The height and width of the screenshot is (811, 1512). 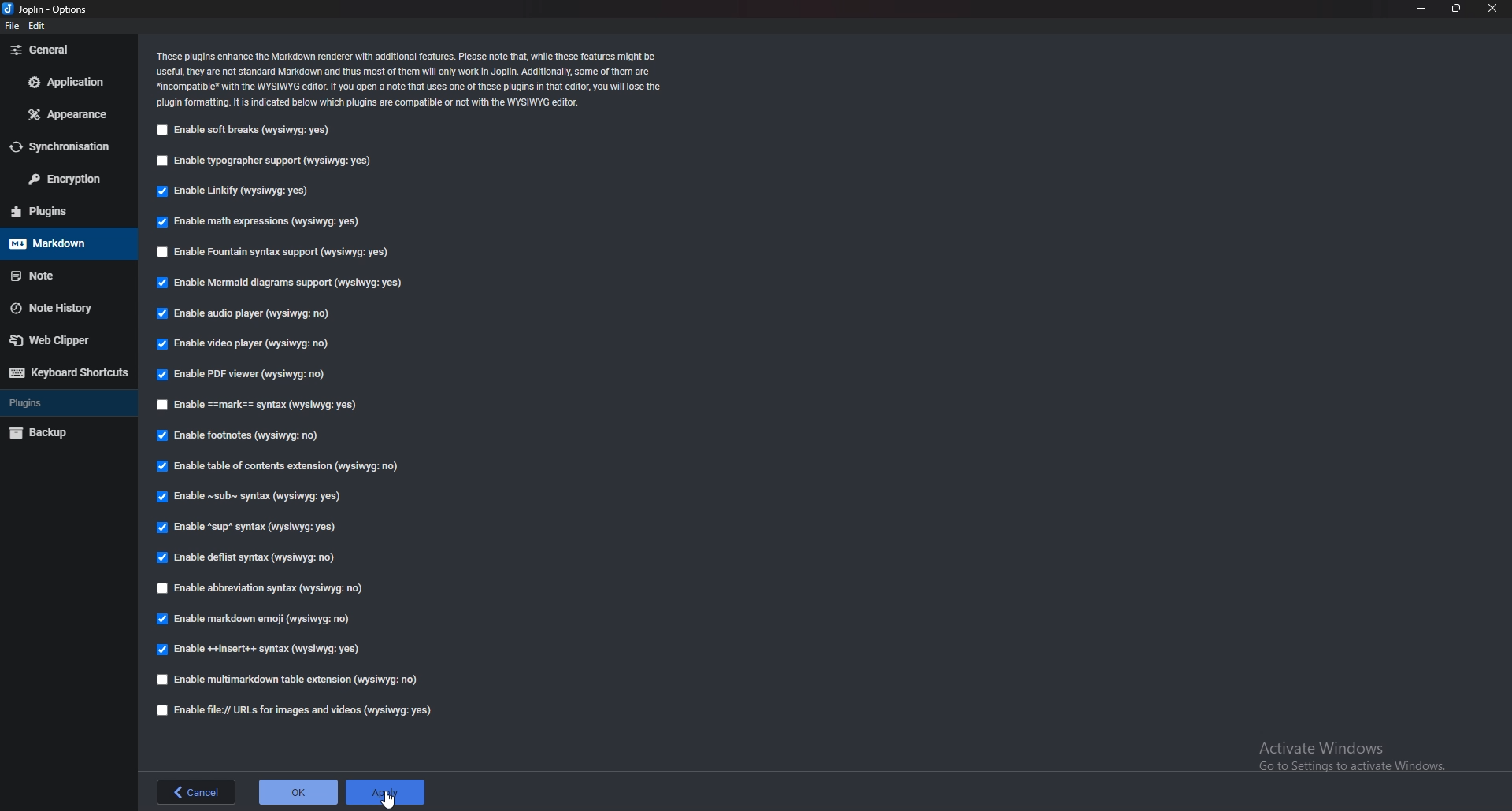 What do you see at coordinates (1357, 754) in the screenshot?
I see `activate windows` at bounding box center [1357, 754].